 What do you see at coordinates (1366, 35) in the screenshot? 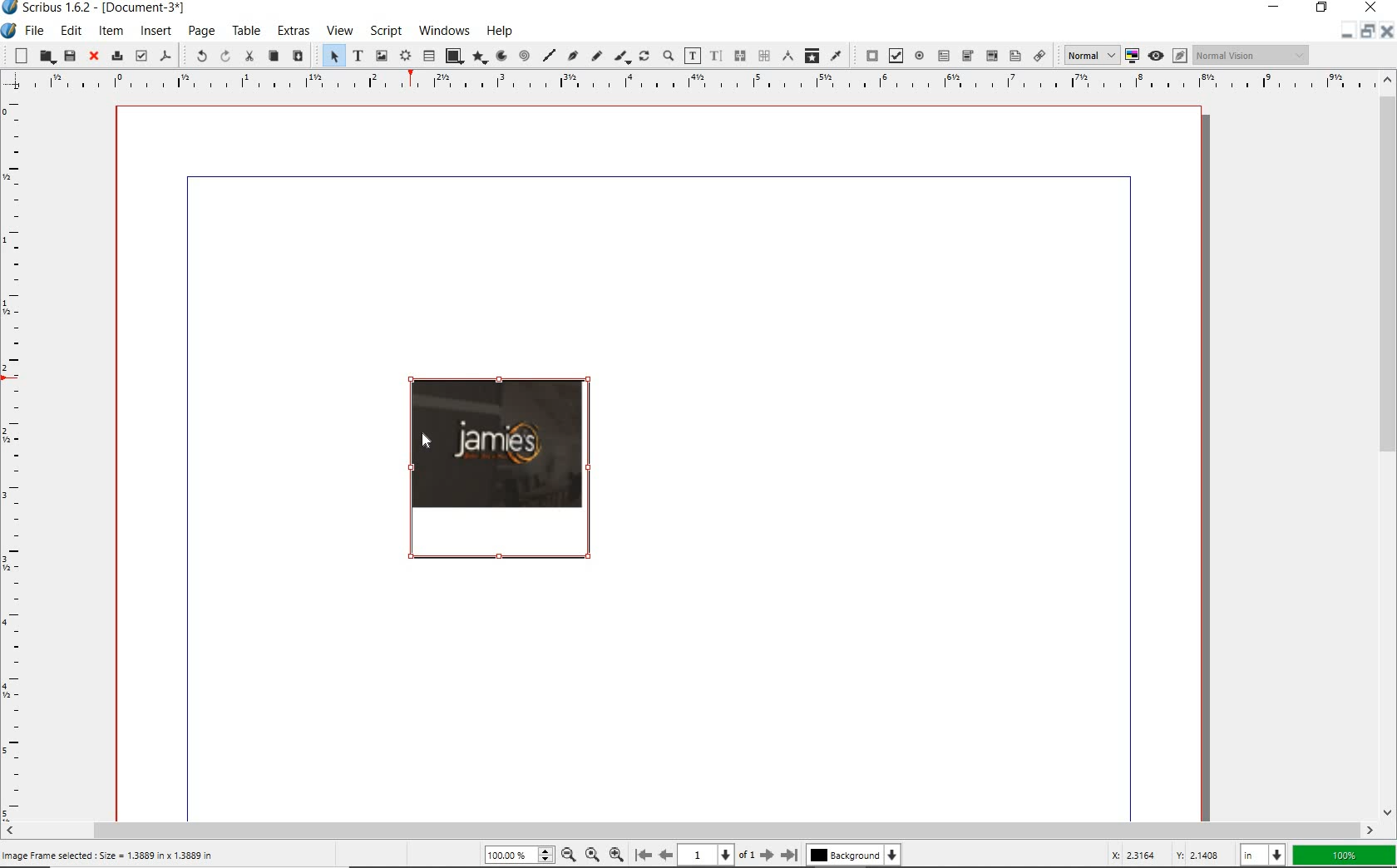
I see `restore` at bounding box center [1366, 35].